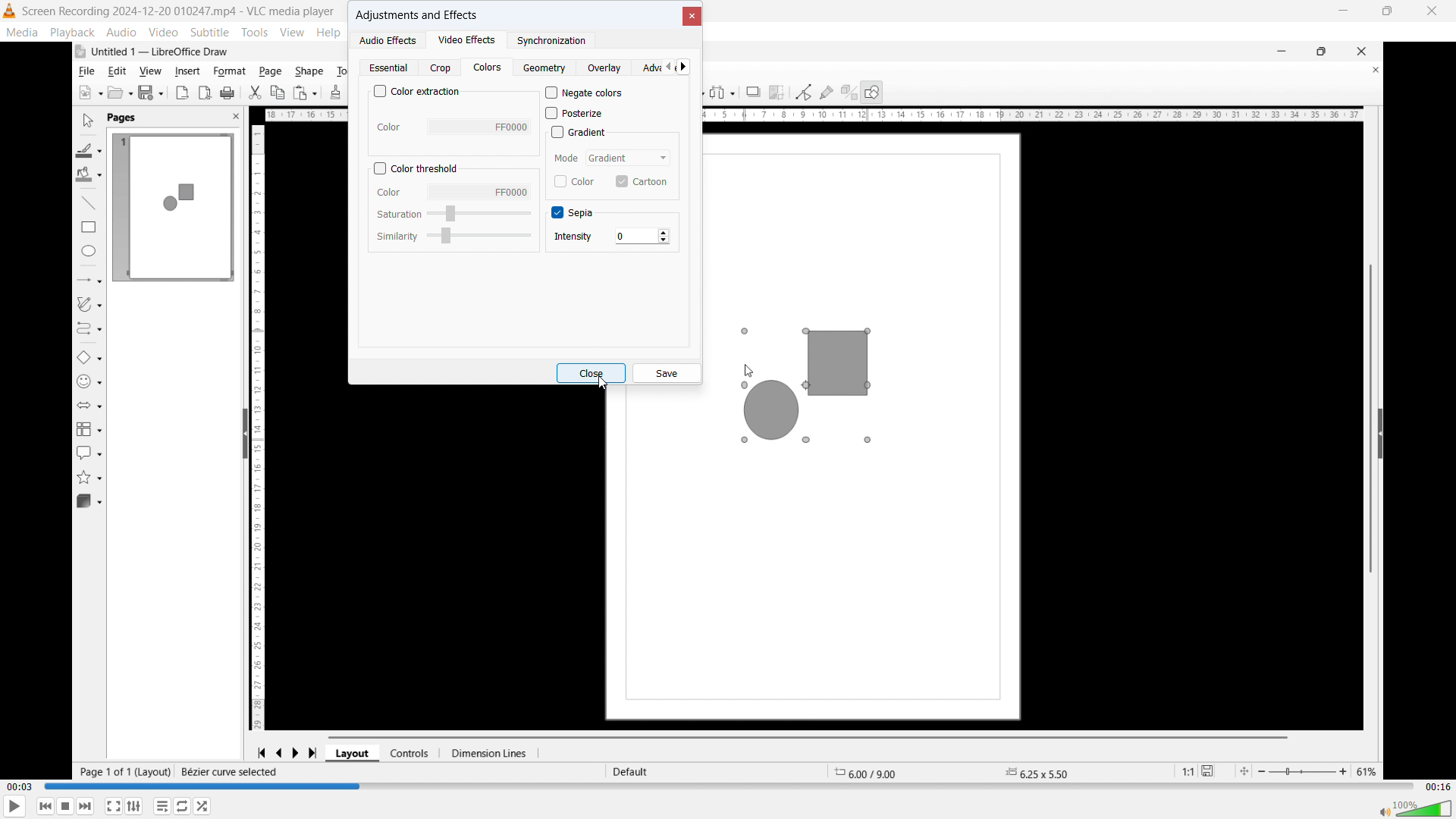 This screenshot has height=819, width=1456. What do you see at coordinates (482, 126) in the screenshot?
I see `Select colour To extract  ` at bounding box center [482, 126].